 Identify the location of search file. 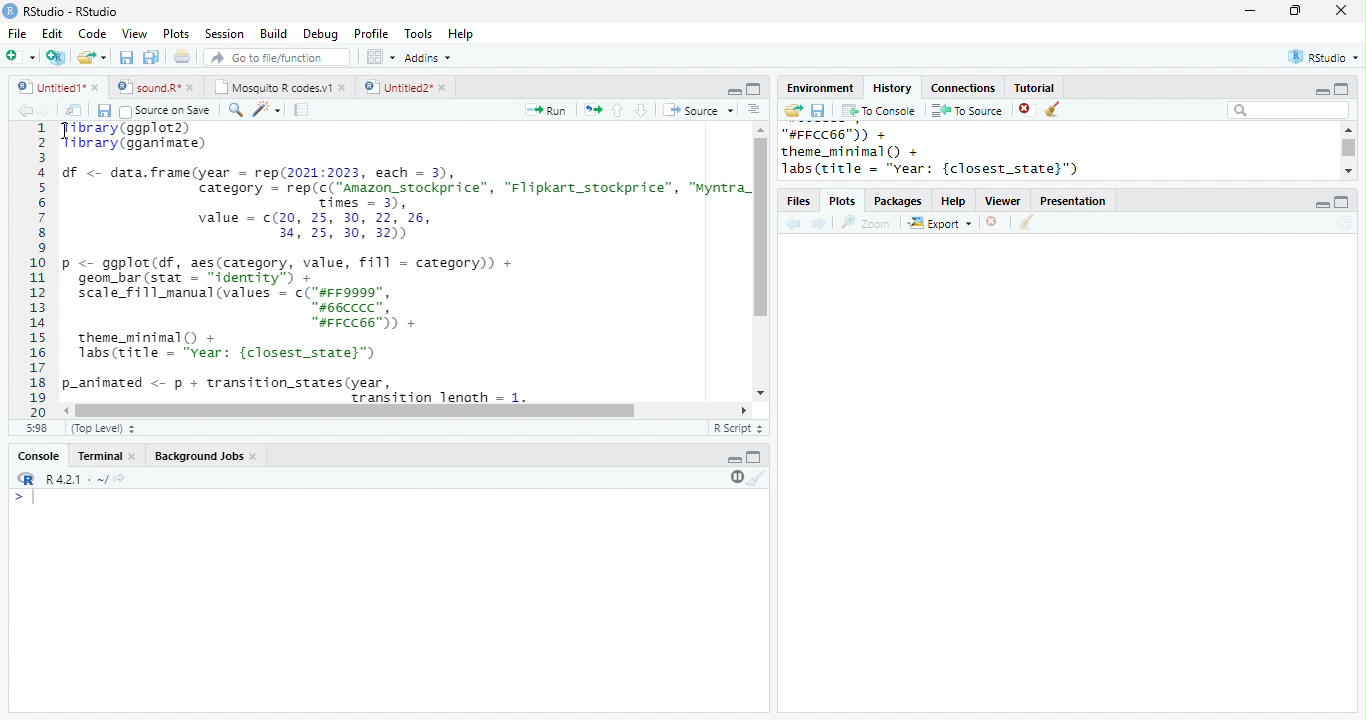
(275, 57).